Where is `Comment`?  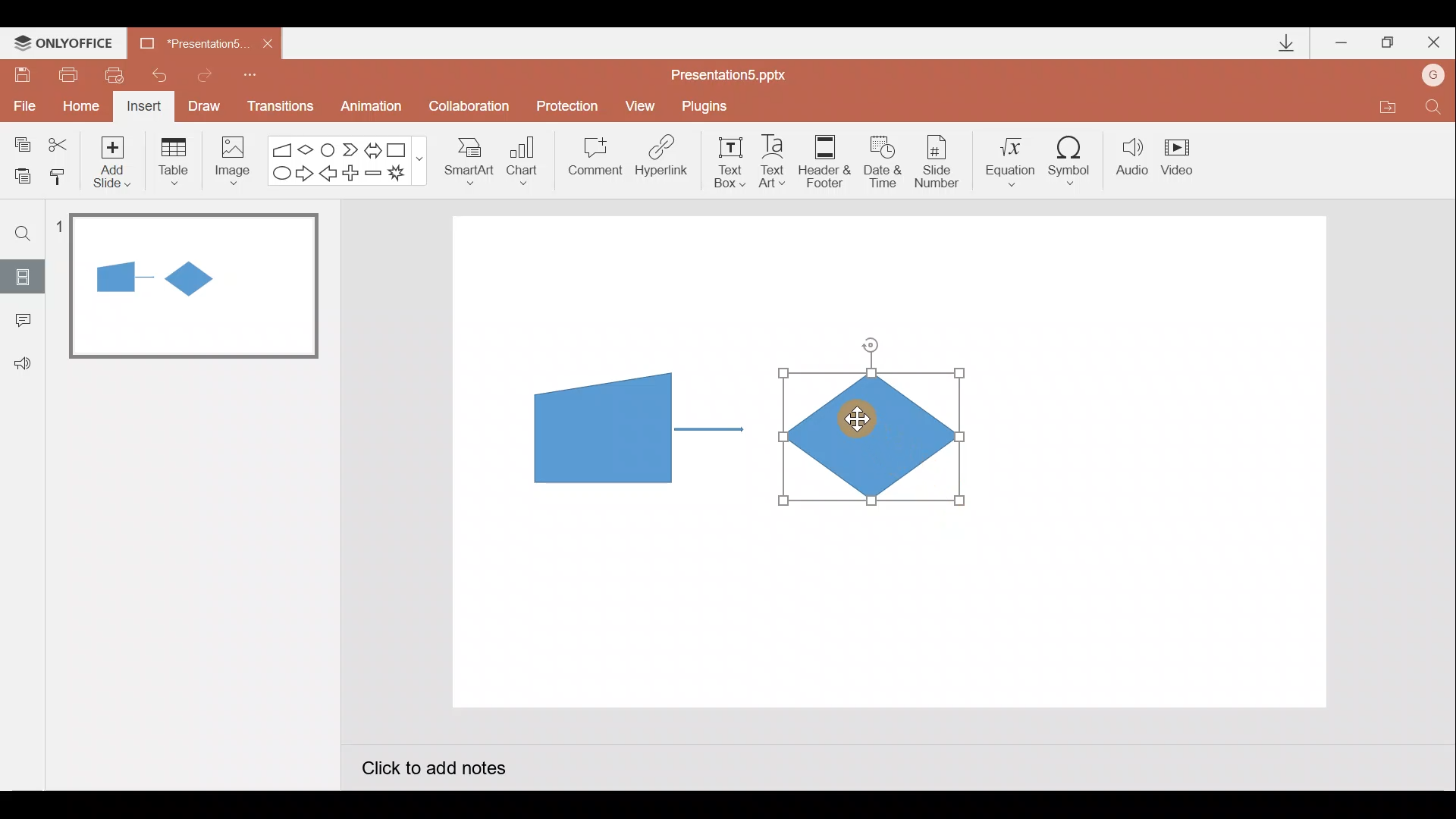 Comment is located at coordinates (593, 162).